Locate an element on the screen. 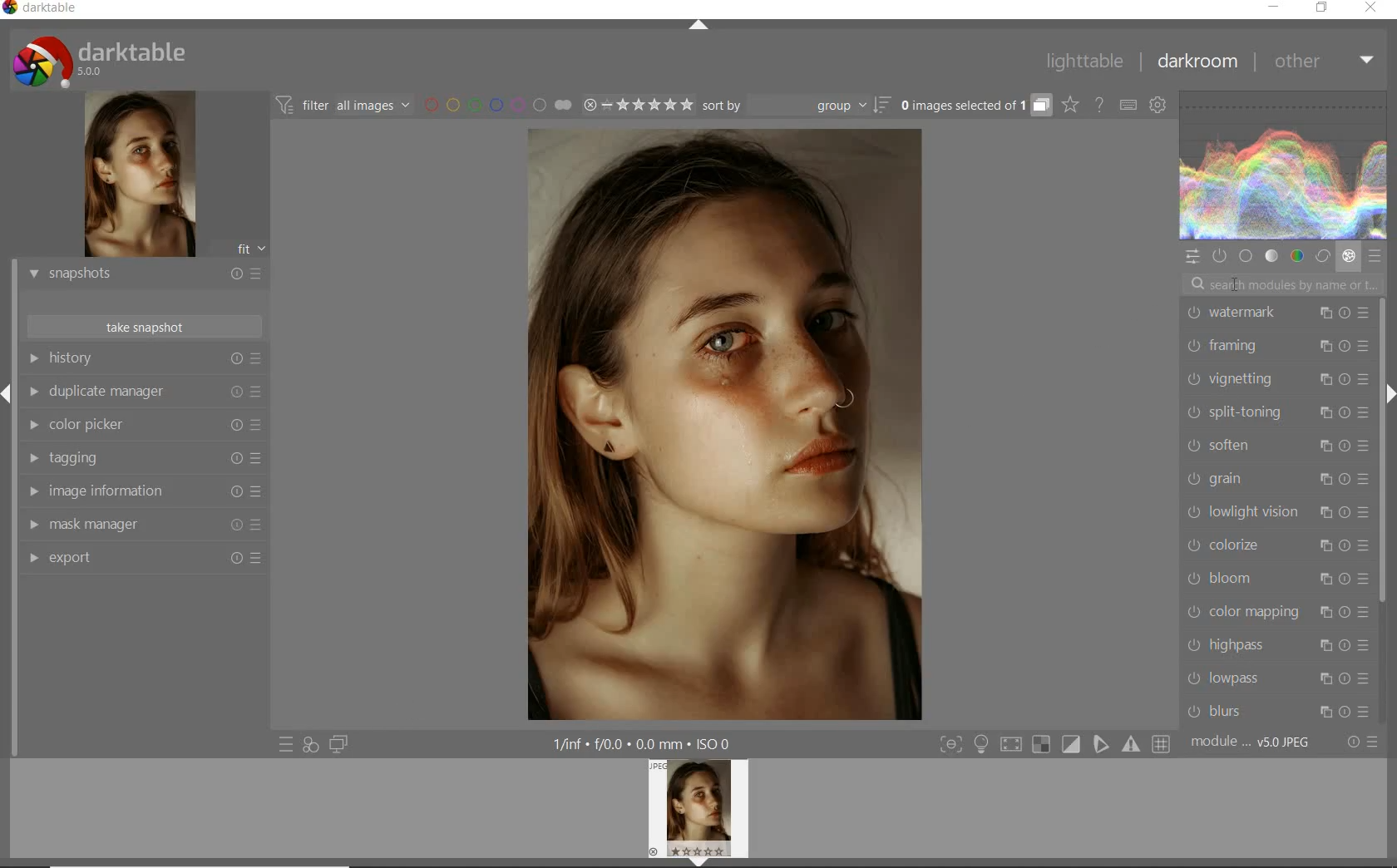 The height and width of the screenshot is (868, 1397). history is located at coordinates (144, 359).